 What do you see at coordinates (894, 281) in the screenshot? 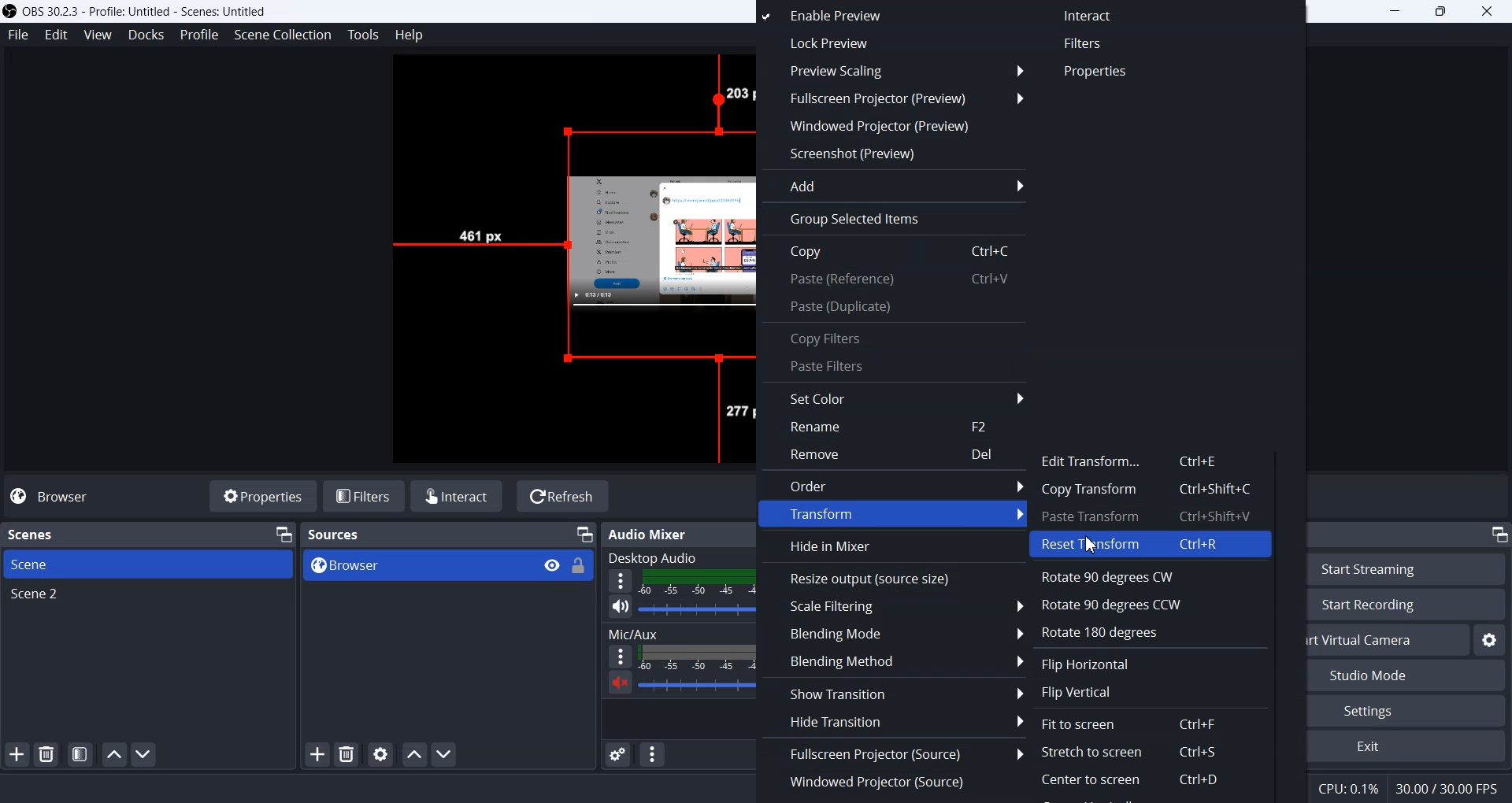
I see `Paste ` at bounding box center [894, 281].